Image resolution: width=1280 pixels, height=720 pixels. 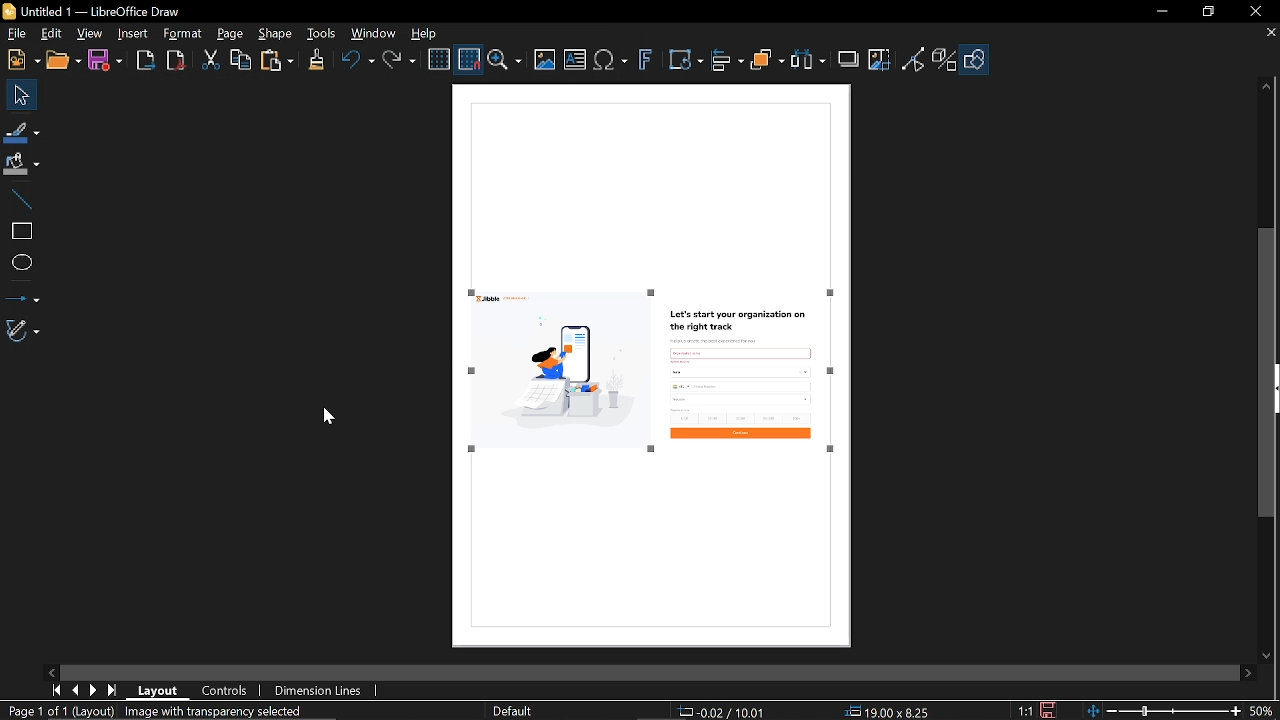 I want to click on Insert, so click(x=133, y=37).